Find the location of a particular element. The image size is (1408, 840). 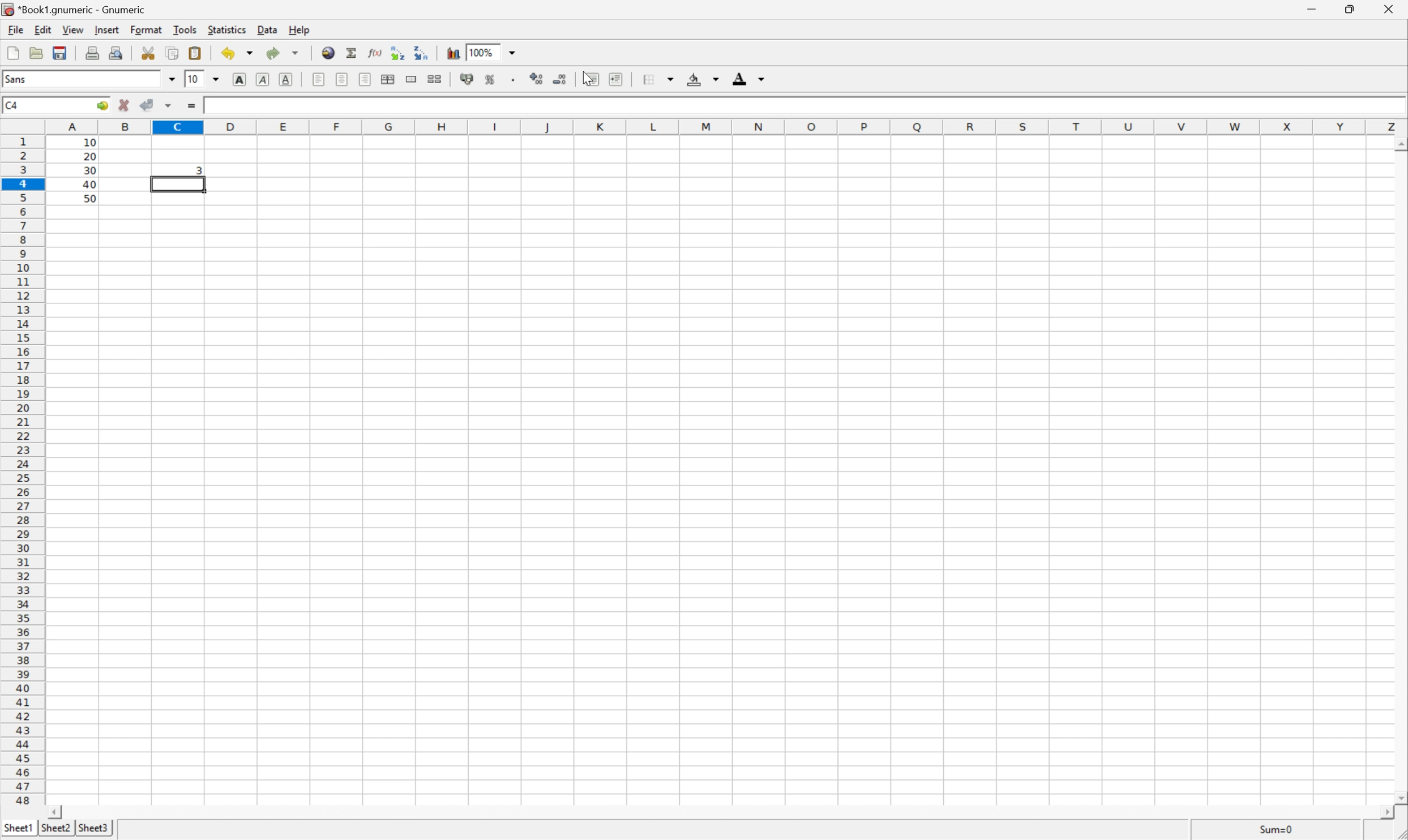

File is located at coordinates (16, 29).